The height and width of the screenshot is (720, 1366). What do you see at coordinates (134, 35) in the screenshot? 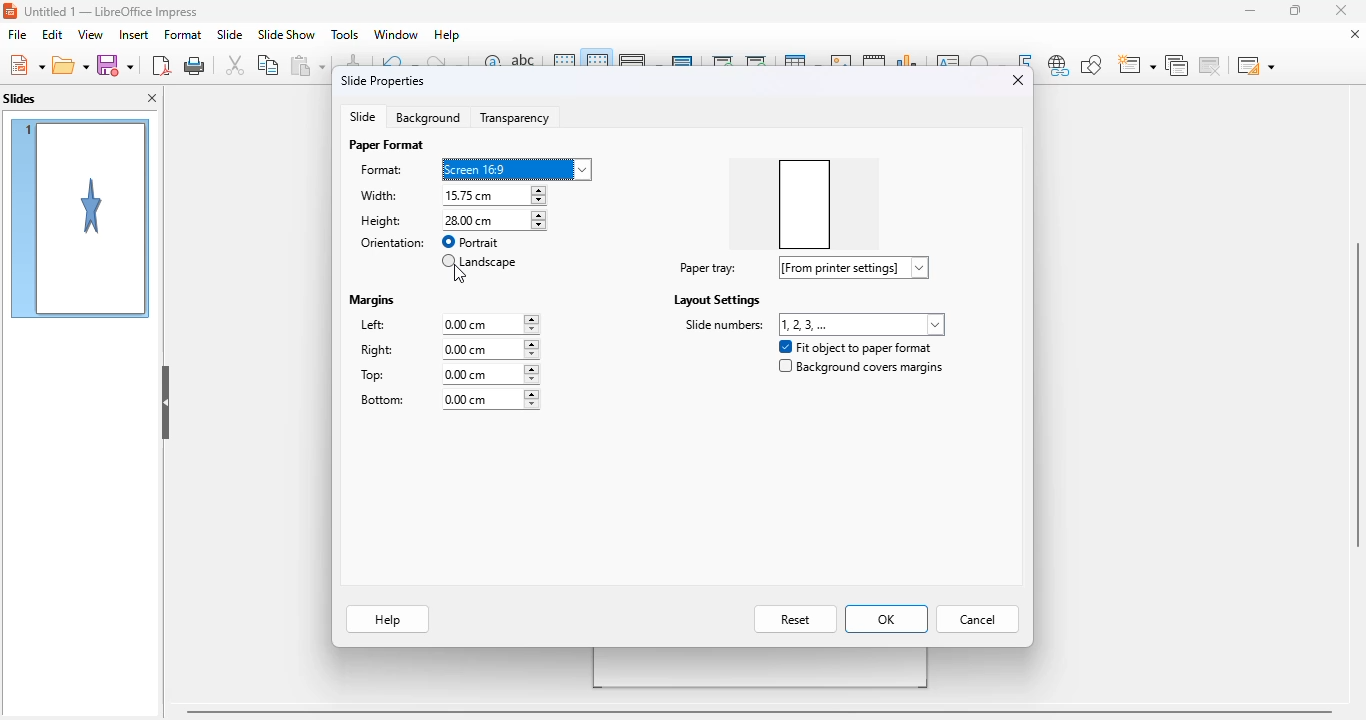
I see `insert` at bounding box center [134, 35].